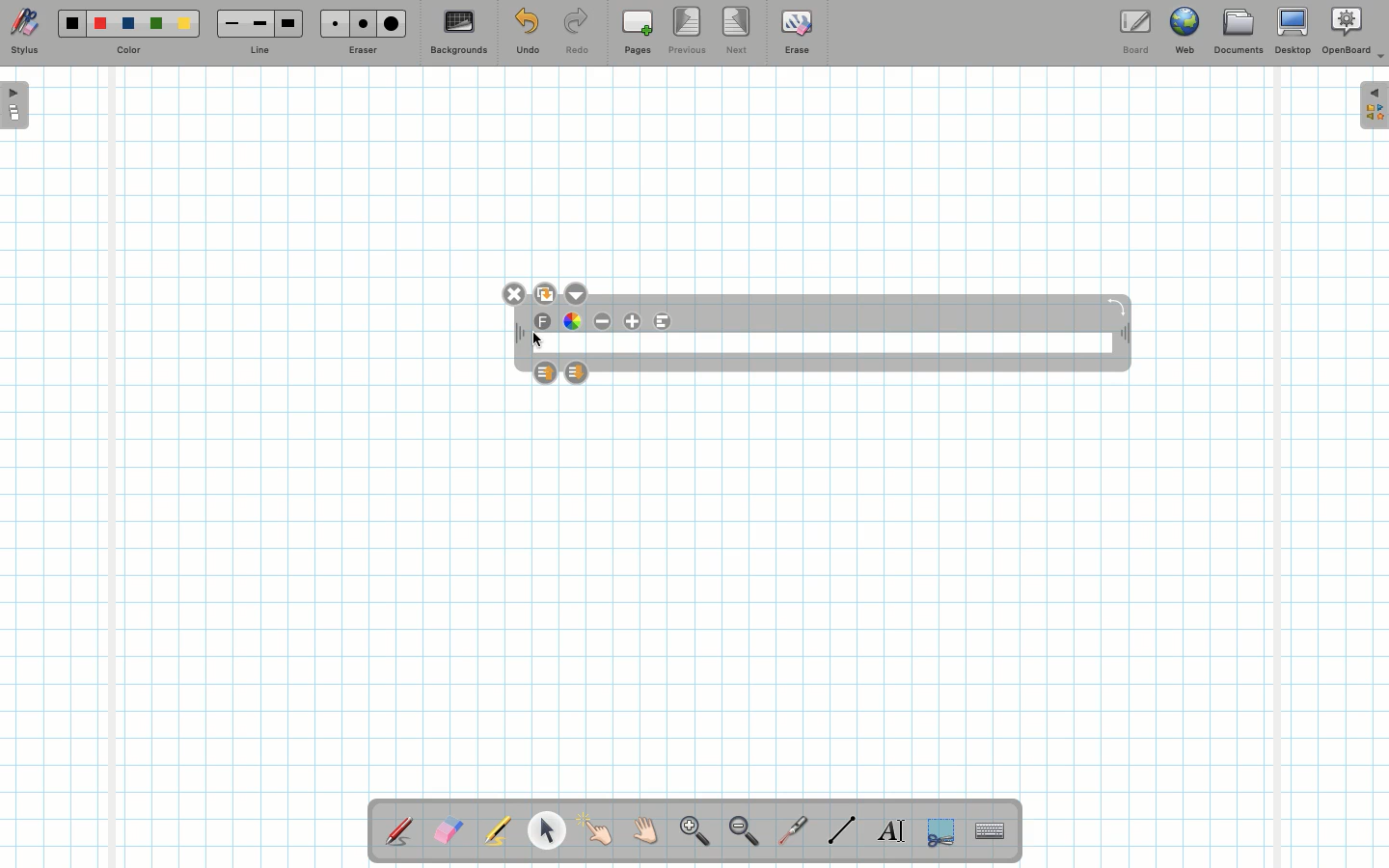  I want to click on Board, so click(1134, 32).